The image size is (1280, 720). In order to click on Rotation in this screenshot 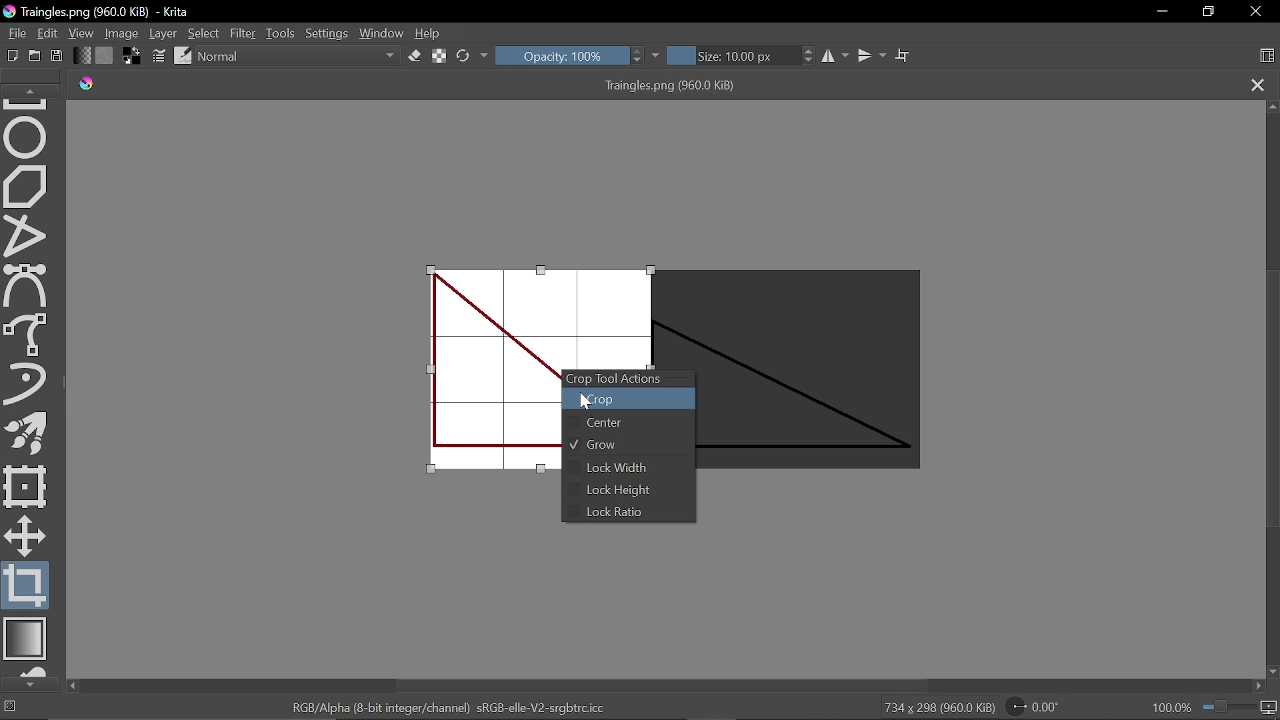, I will do `click(1039, 707)`.